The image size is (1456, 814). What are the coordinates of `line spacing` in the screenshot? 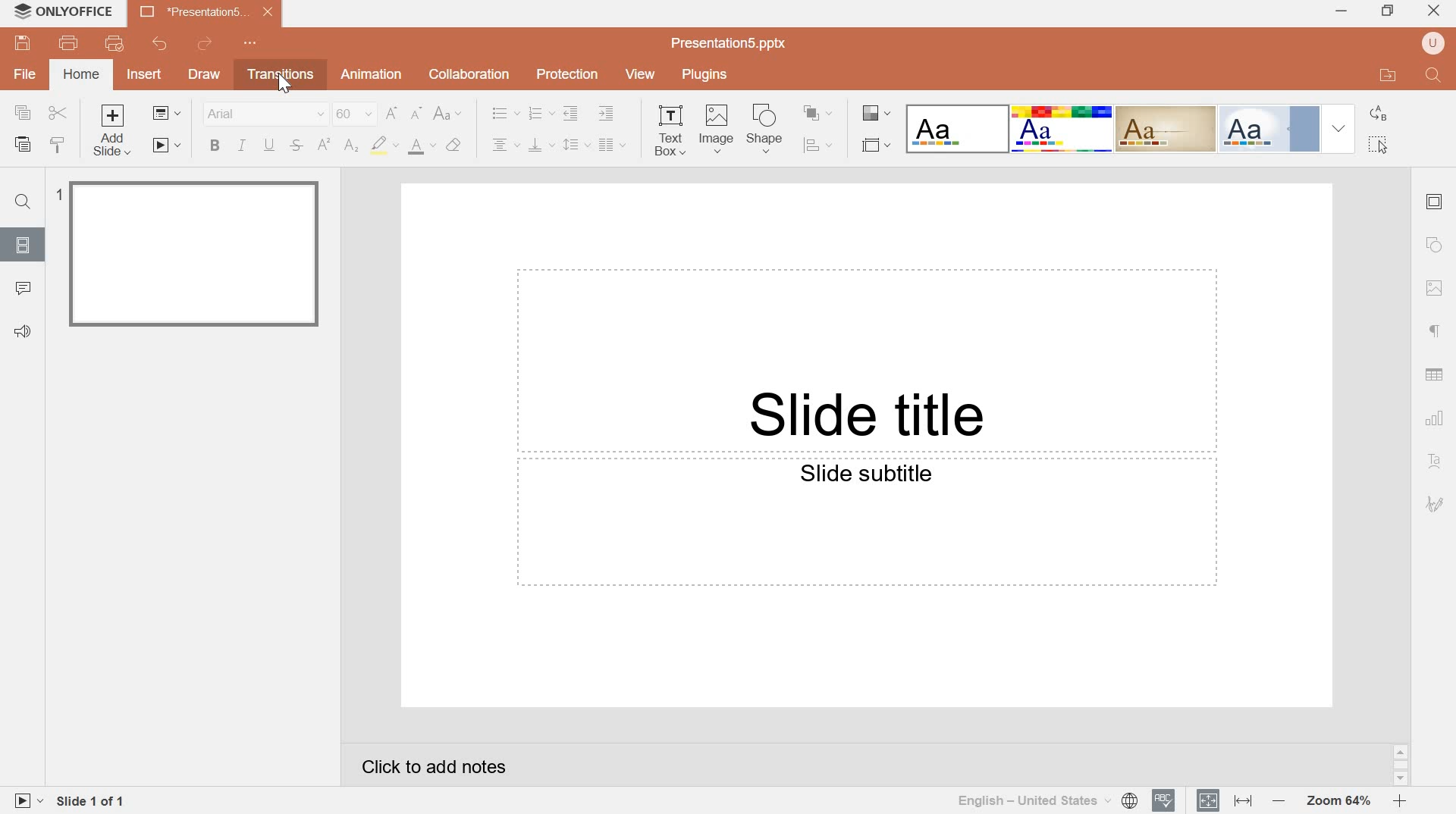 It's located at (578, 143).